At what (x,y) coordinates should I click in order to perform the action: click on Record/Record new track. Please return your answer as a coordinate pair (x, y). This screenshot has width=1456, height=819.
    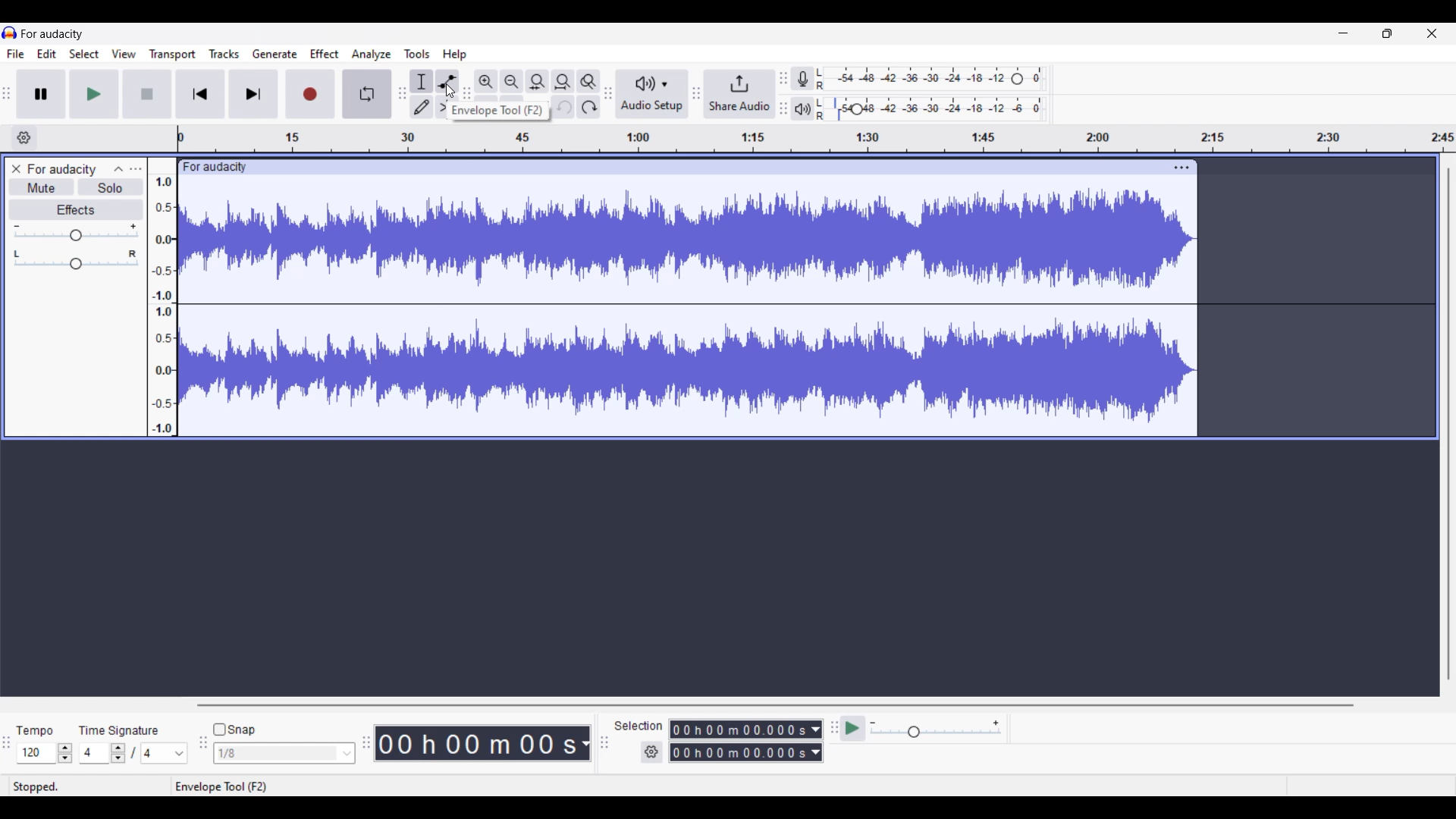
    Looking at the image, I should click on (311, 94).